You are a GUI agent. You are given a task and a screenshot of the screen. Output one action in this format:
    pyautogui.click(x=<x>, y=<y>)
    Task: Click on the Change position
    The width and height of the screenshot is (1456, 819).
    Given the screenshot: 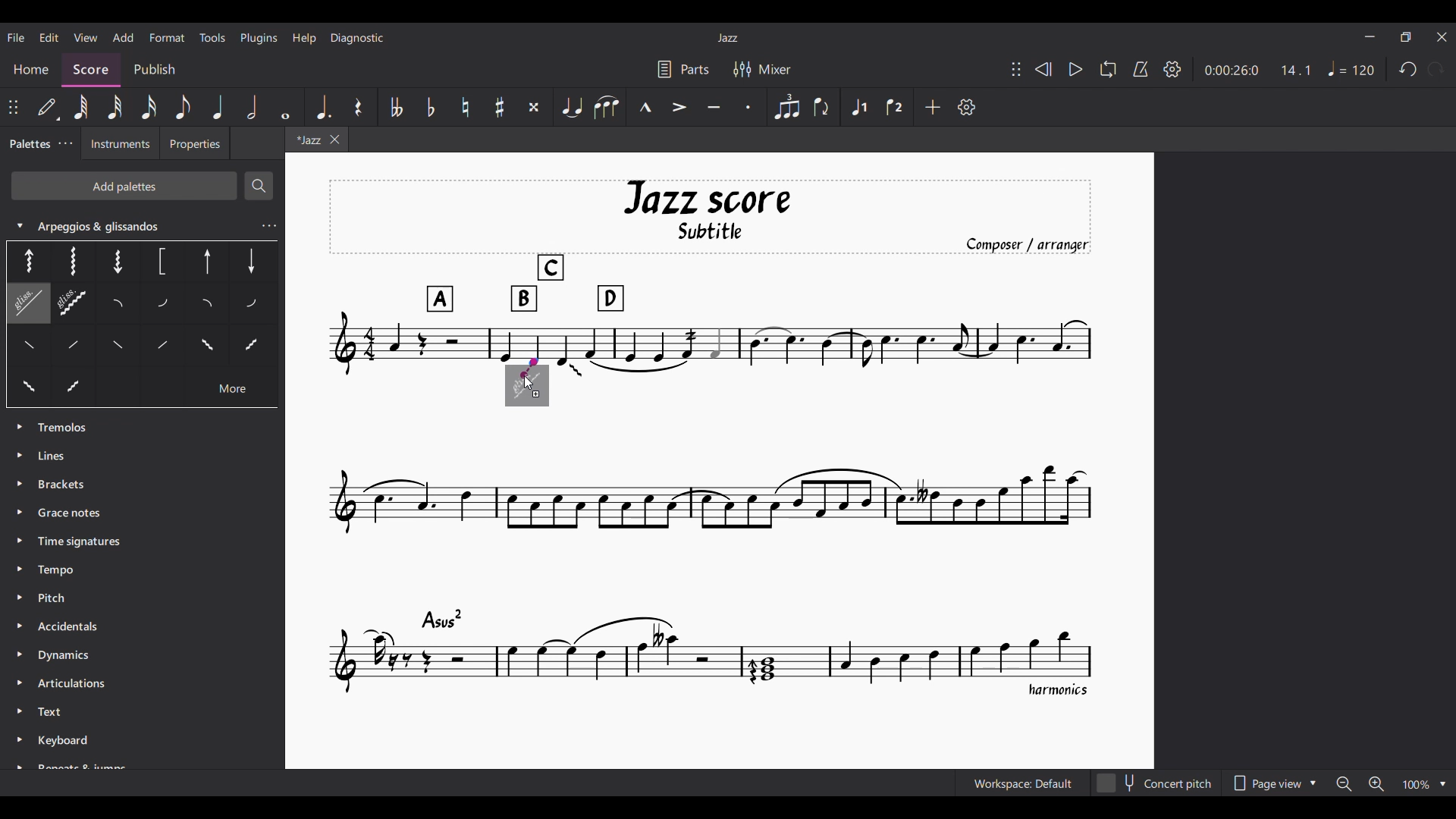 What is the action you would take?
    pyautogui.click(x=14, y=107)
    